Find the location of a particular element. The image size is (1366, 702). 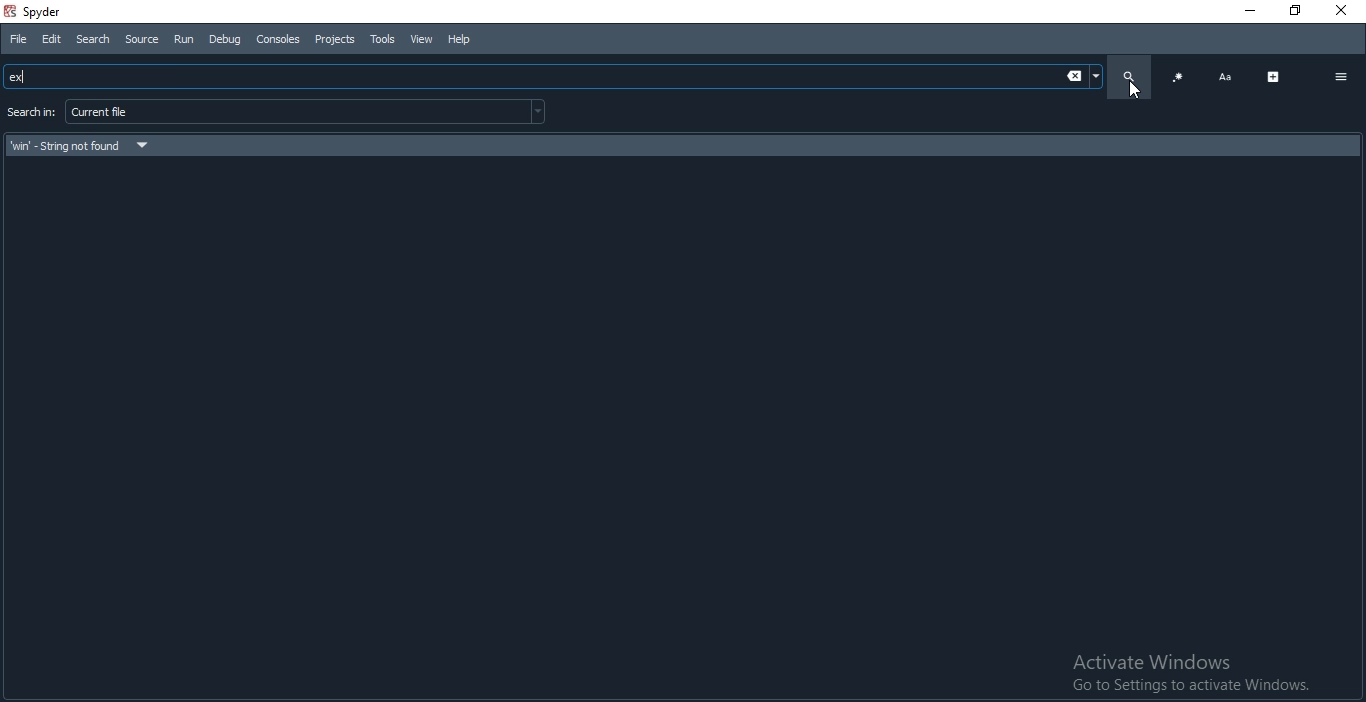

File  is located at coordinates (20, 40).